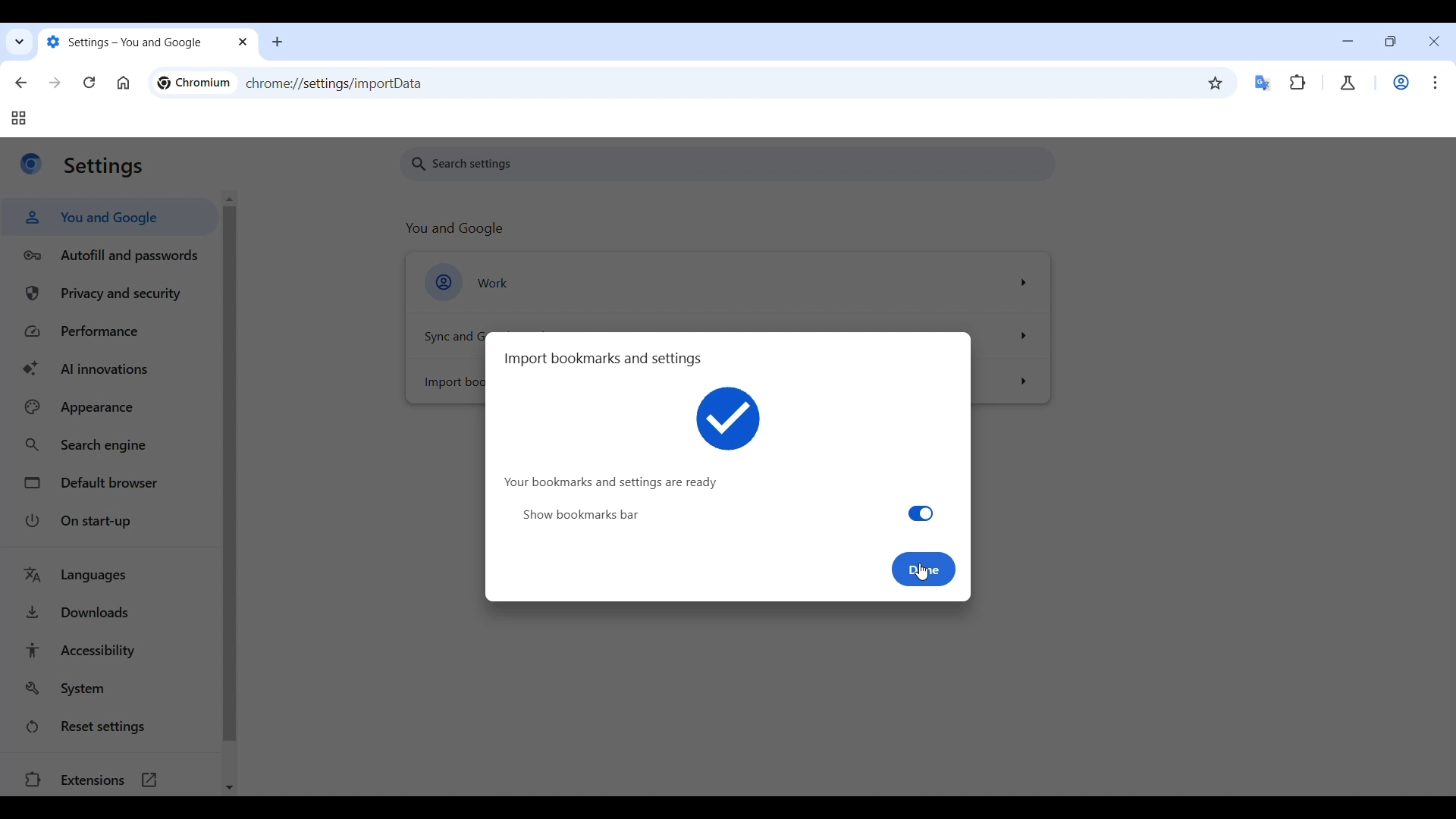  I want to click on Your bookmarks and settings are ready, so click(728, 432).